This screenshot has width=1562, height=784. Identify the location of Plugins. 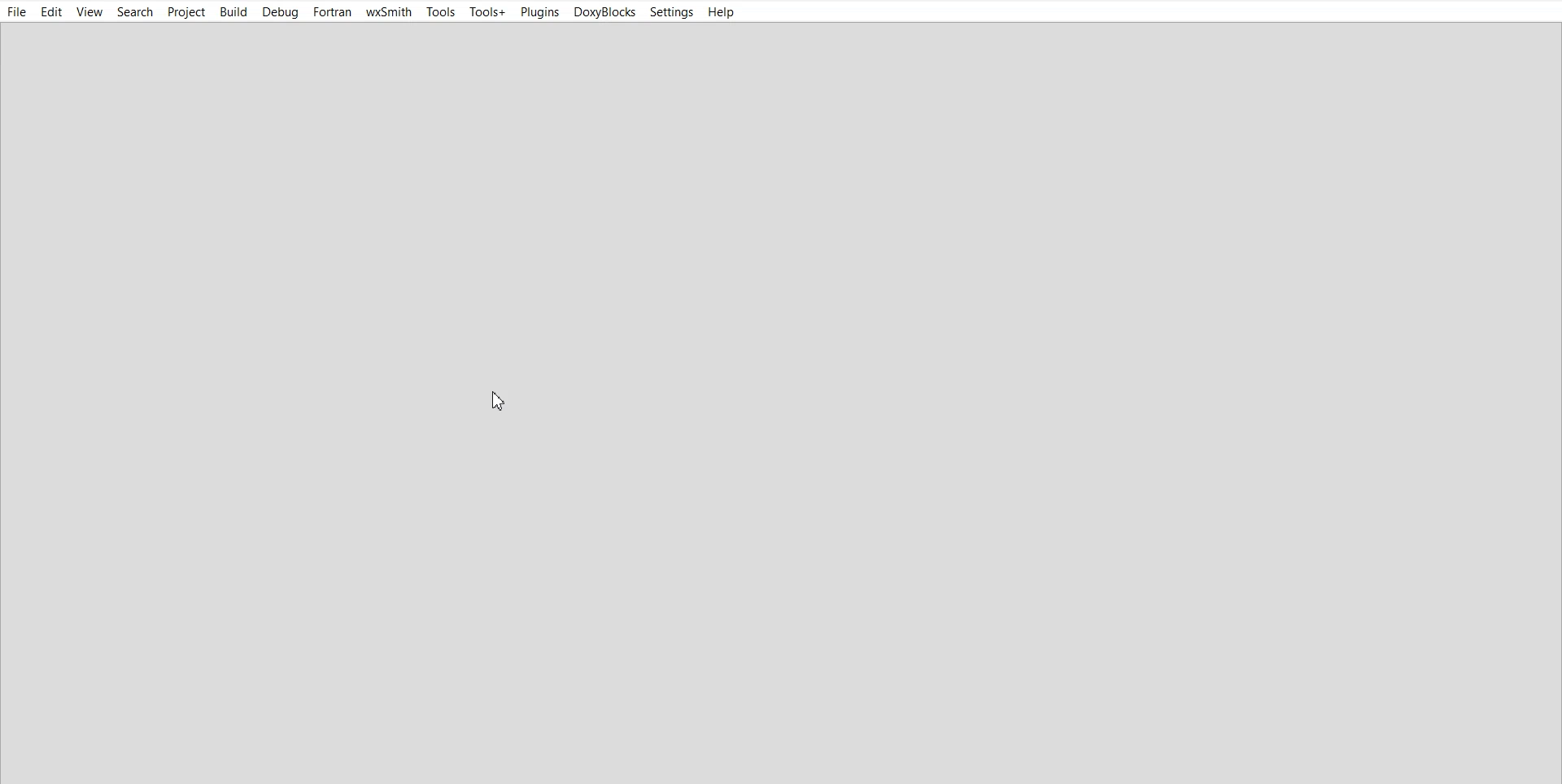
(539, 12).